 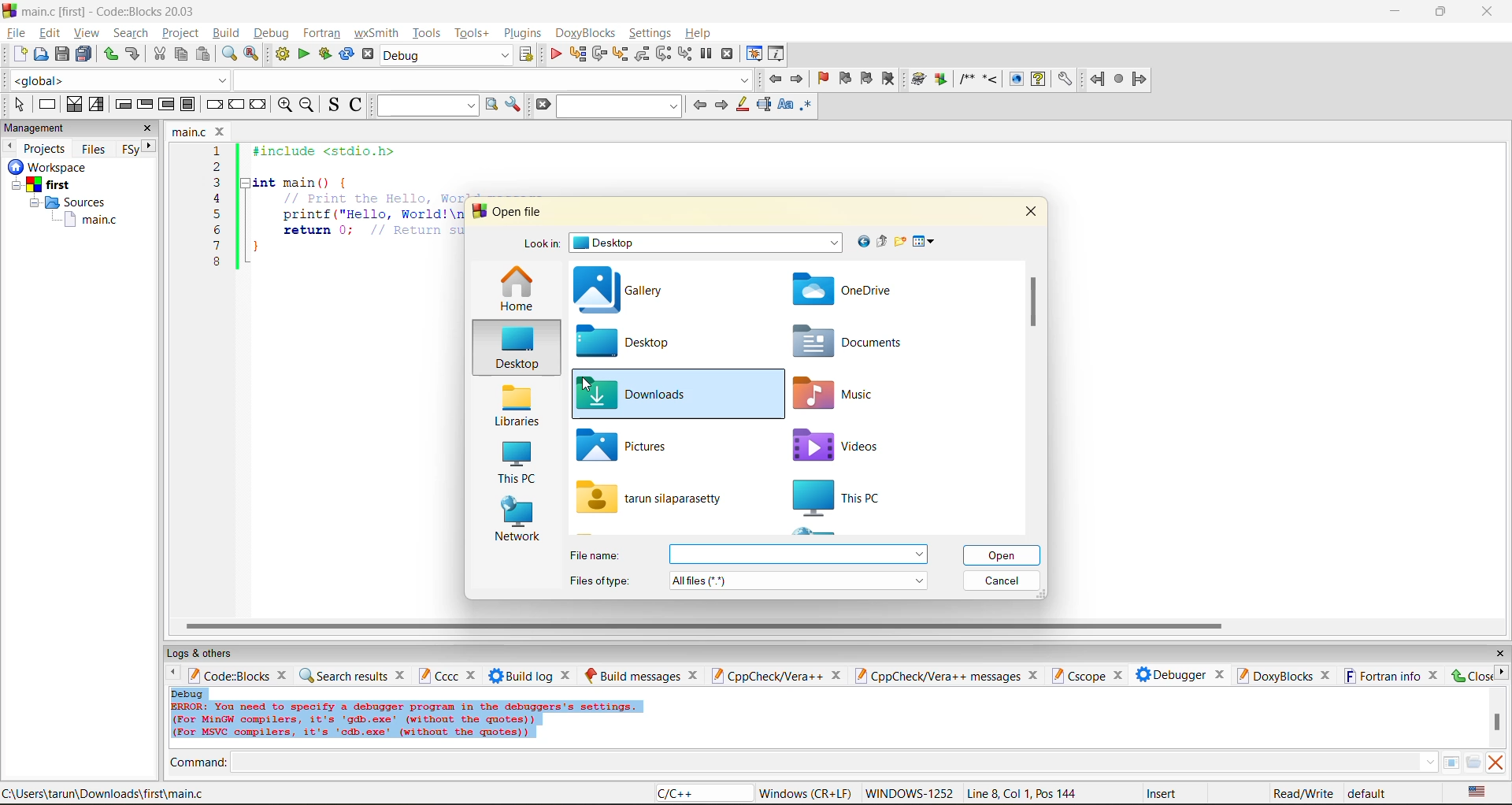 I want to click on next, so click(x=1501, y=672).